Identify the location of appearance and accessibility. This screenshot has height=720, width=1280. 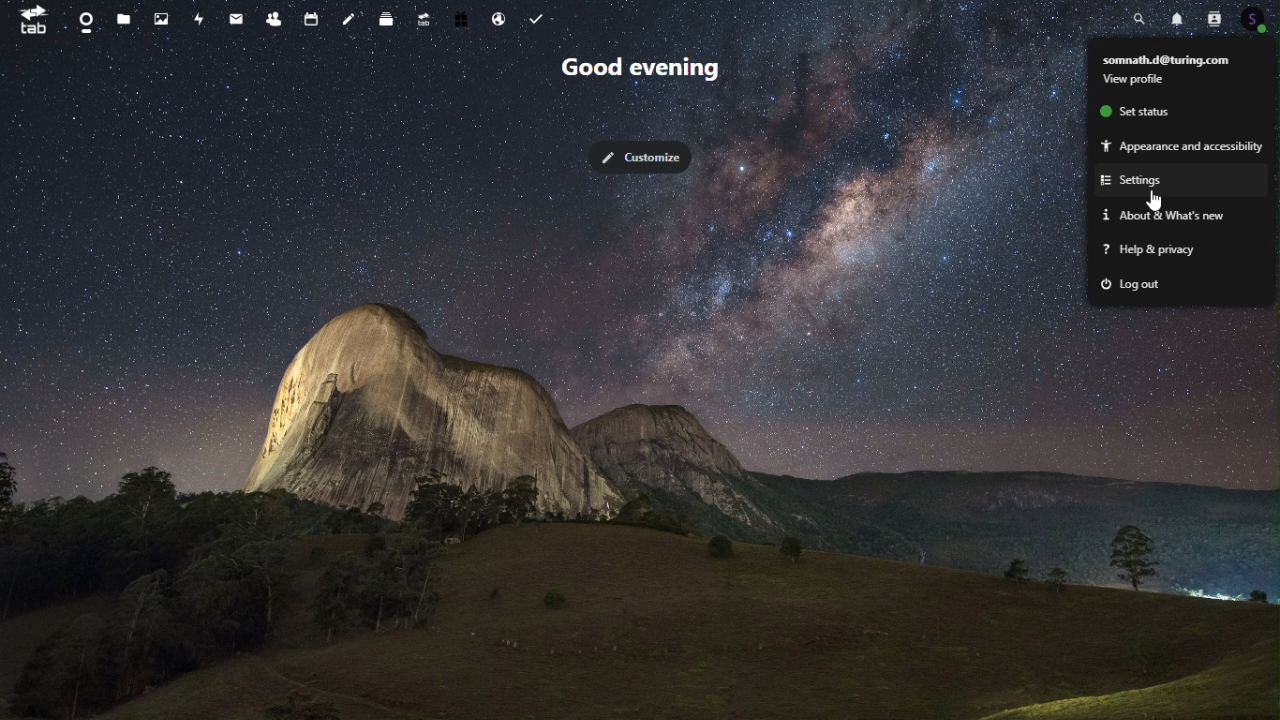
(1180, 145).